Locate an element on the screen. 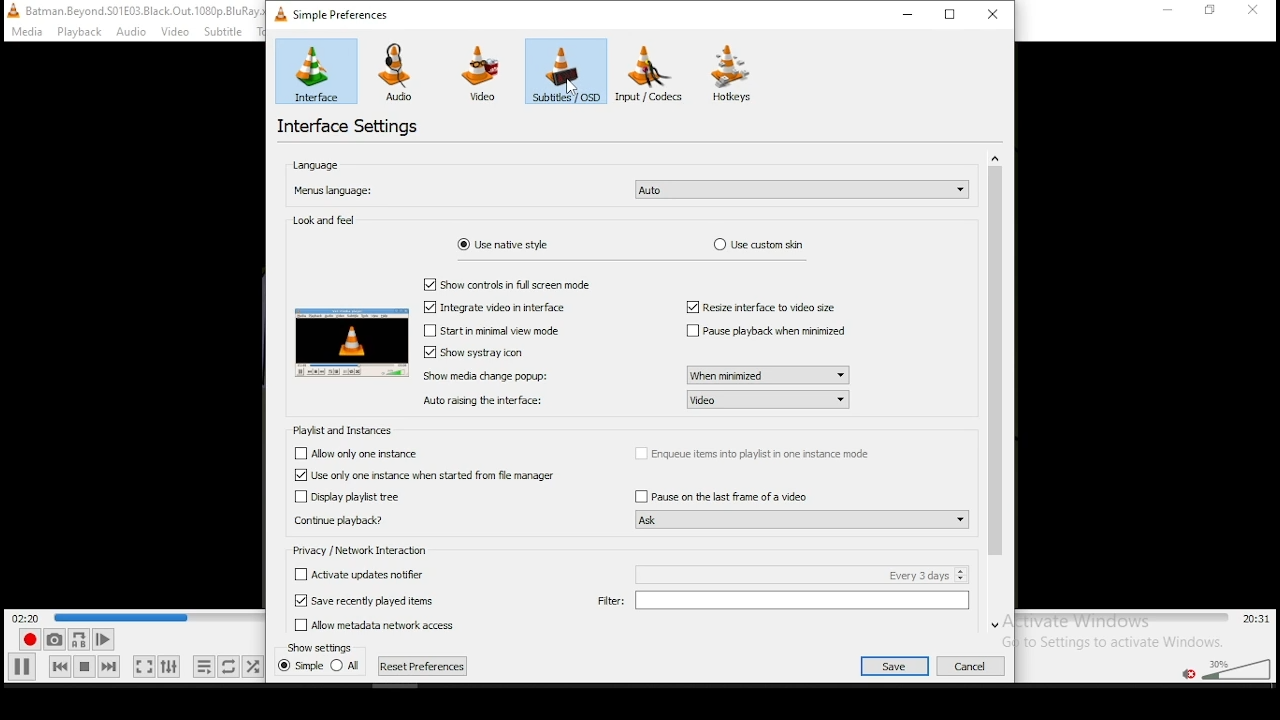 The height and width of the screenshot is (720, 1280). checkbox: display playlist tree is located at coordinates (352, 497).